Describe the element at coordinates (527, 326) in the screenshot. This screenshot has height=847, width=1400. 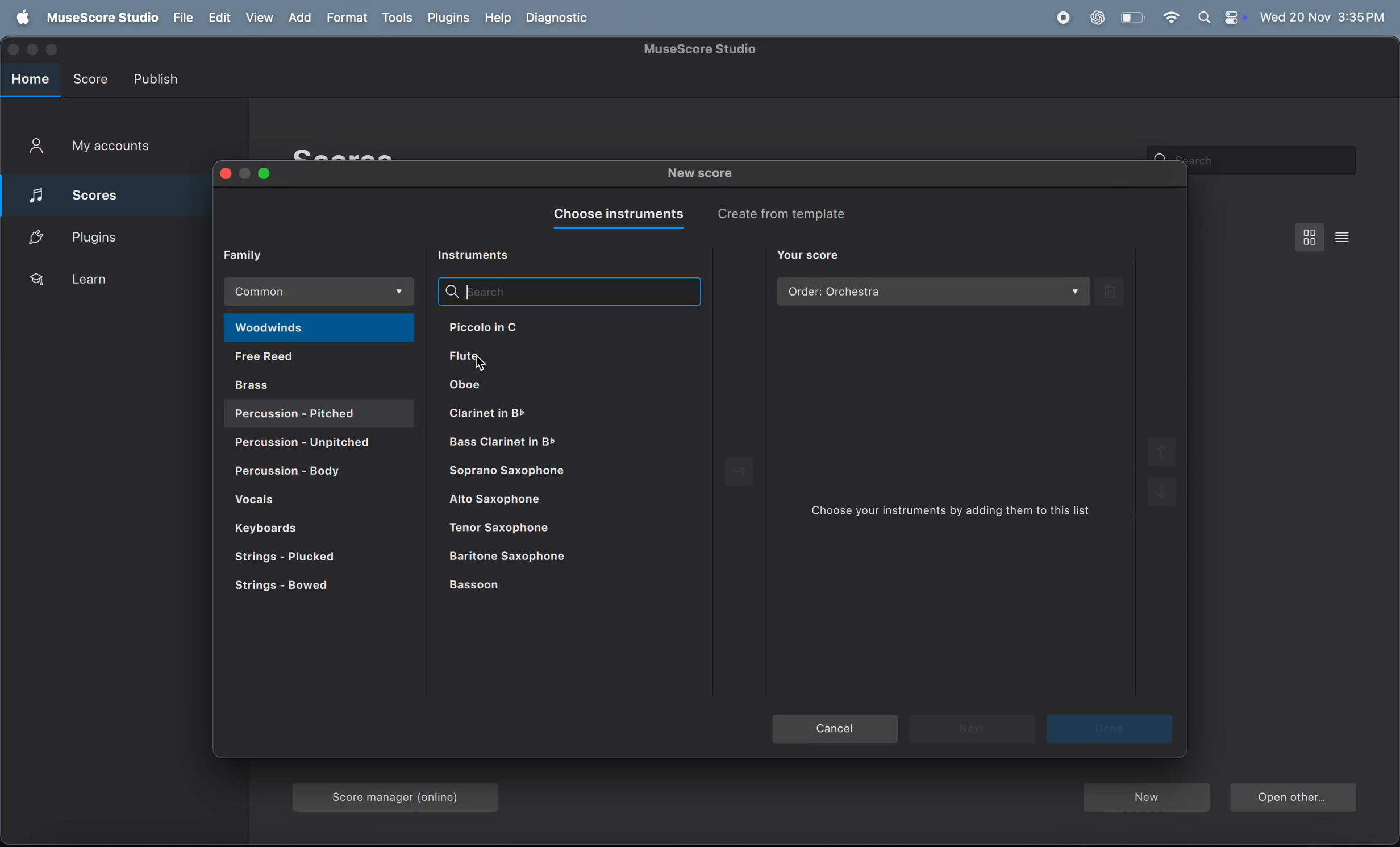
I see `piccolo in c` at that location.